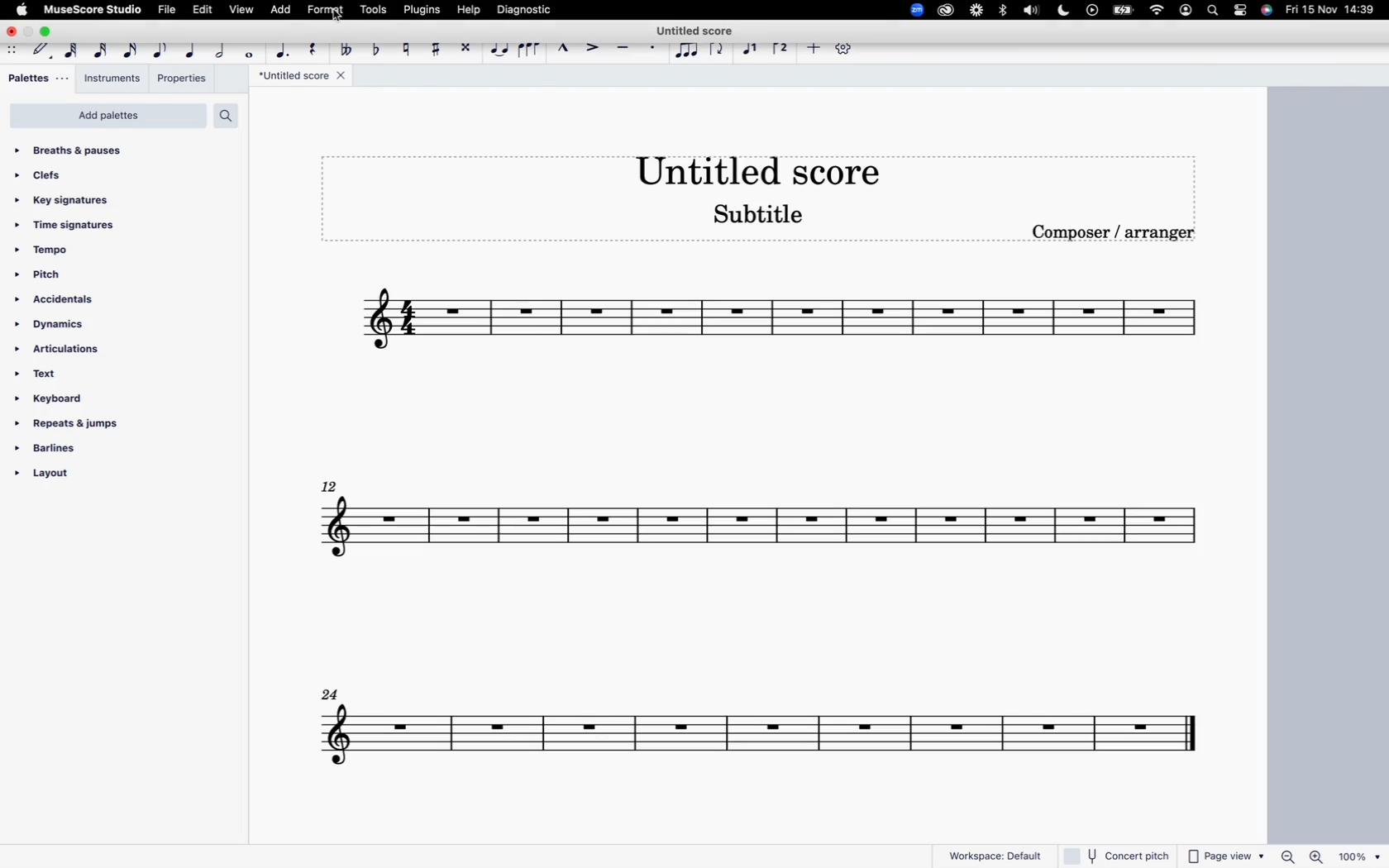 This screenshot has height=868, width=1389. Describe the element at coordinates (1332, 856) in the screenshot. I see `zoom` at that location.